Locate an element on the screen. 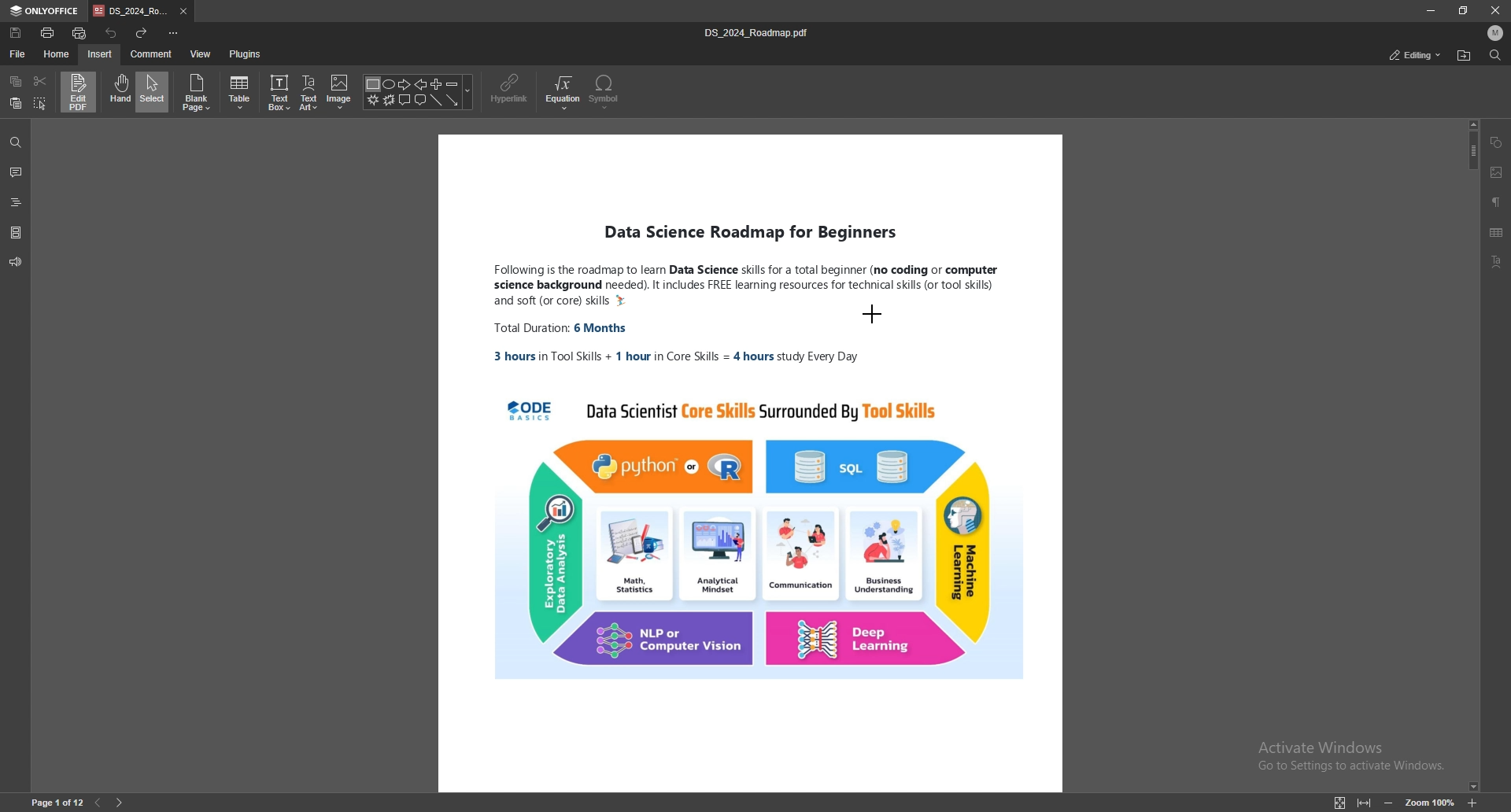 The image size is (1511, 812). select is located at coordinates (41, 103).